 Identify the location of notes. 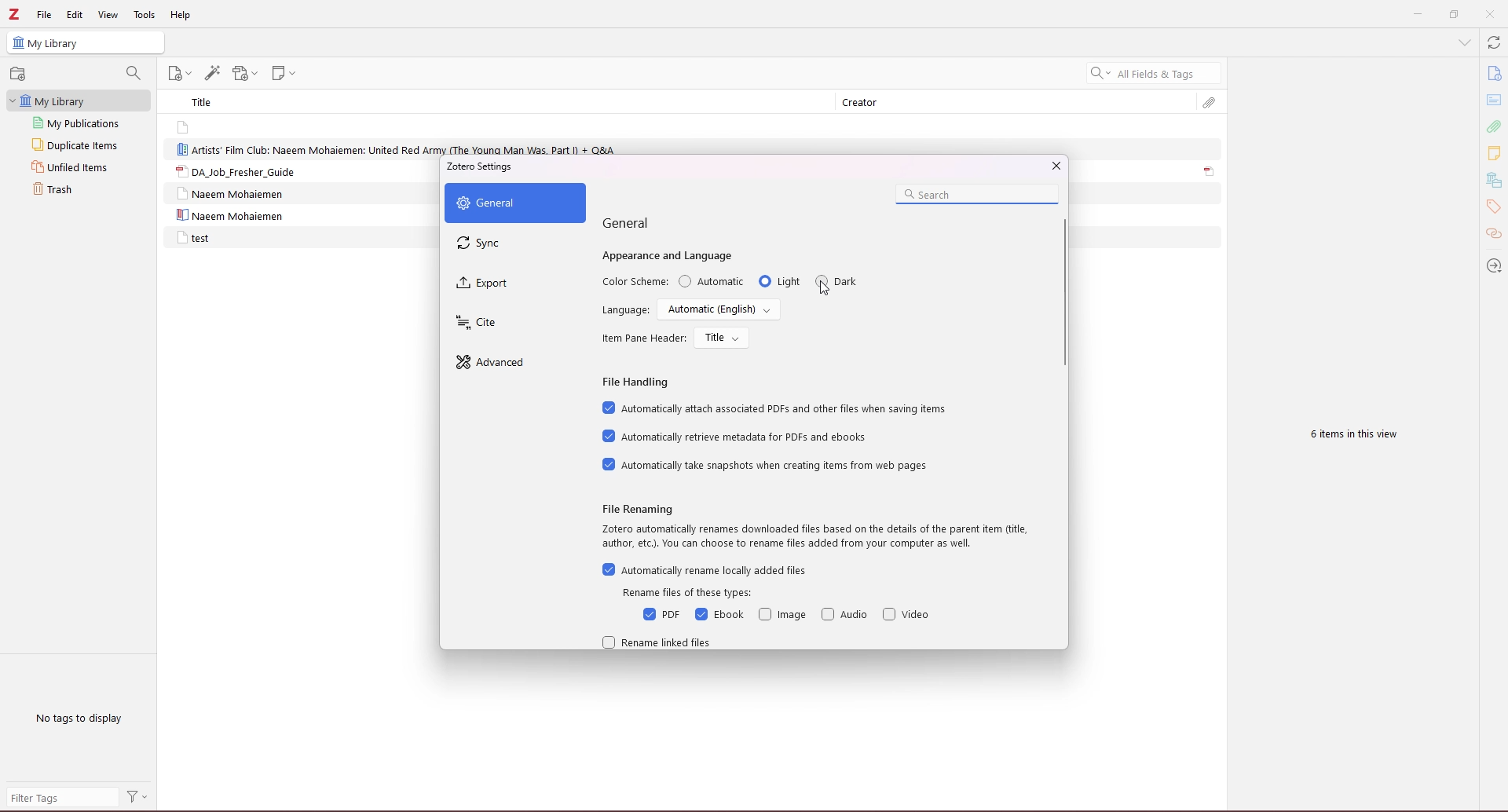
(1494, 152).